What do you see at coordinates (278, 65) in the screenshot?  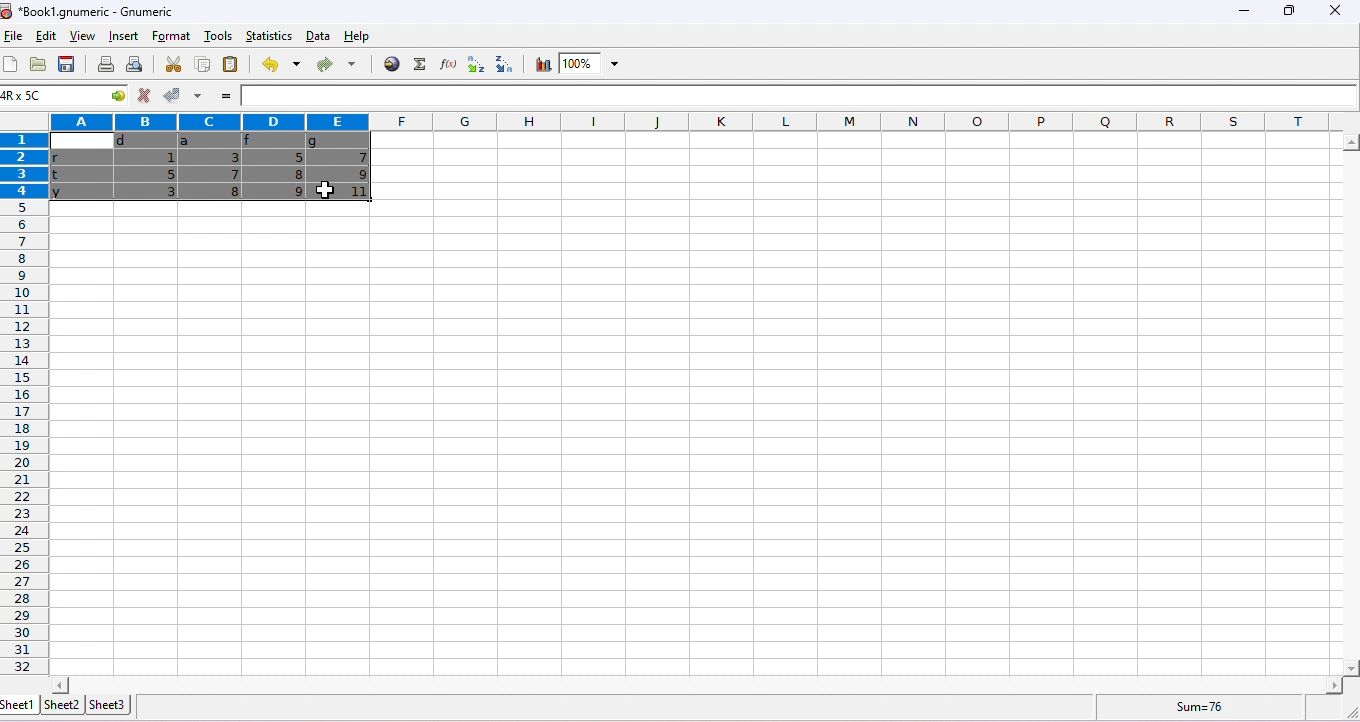 I see `undo` at bounding box center [278, 65].